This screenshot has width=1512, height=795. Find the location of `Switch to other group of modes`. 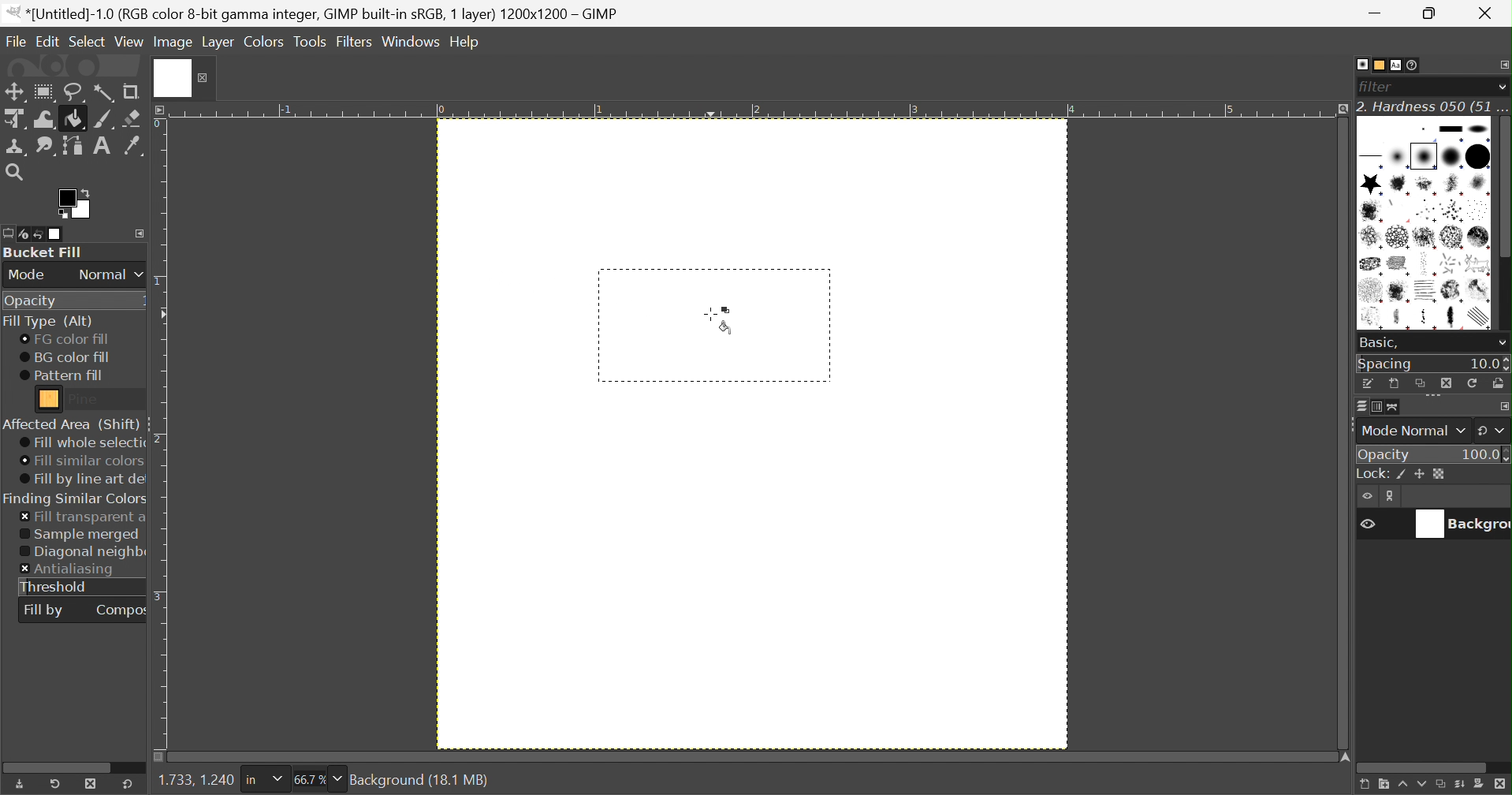

Switch to other group of modes is located at coordinates (1493, 431).